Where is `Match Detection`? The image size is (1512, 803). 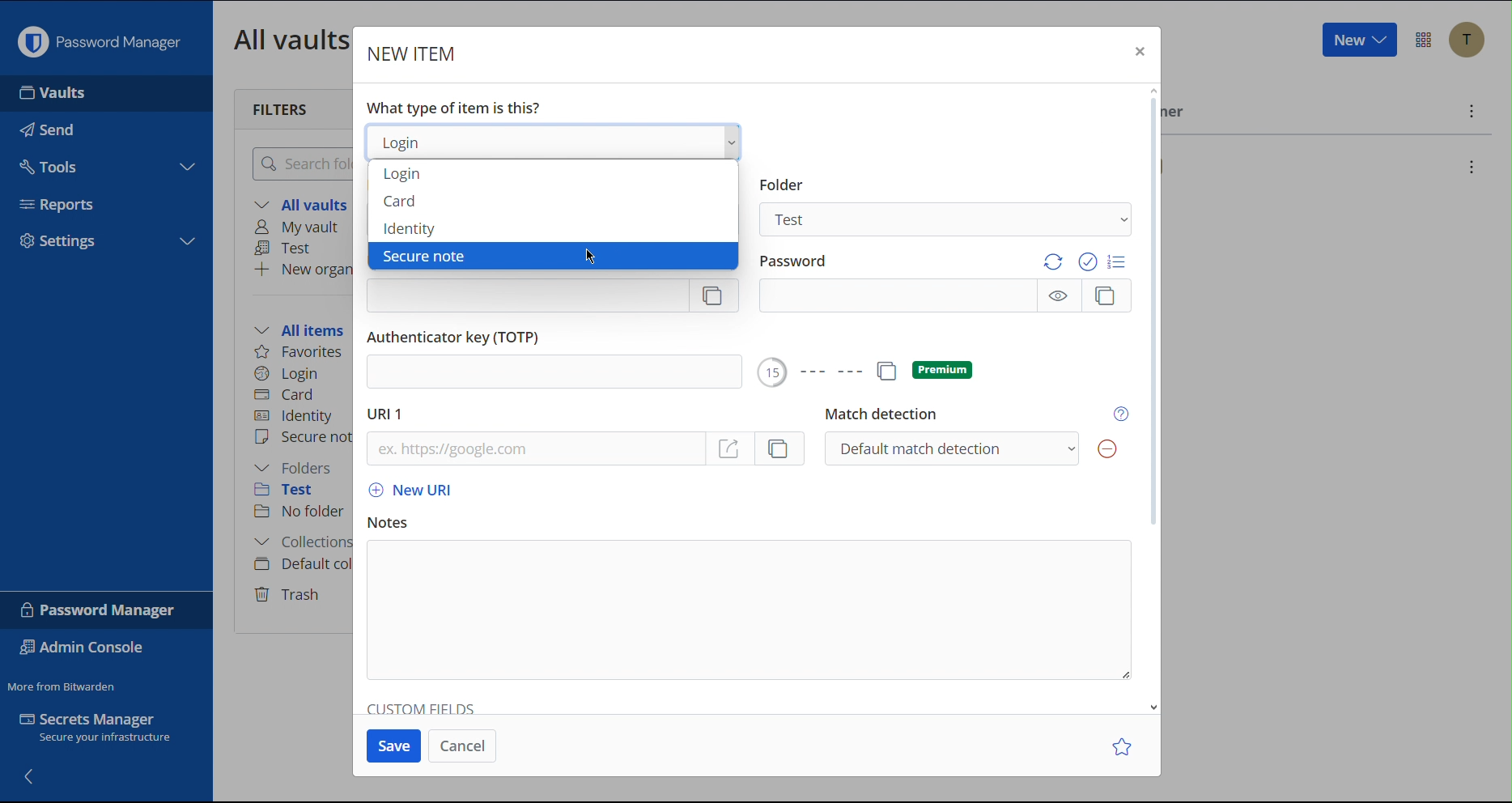
Match Detection is located at coordinates (880, 414).